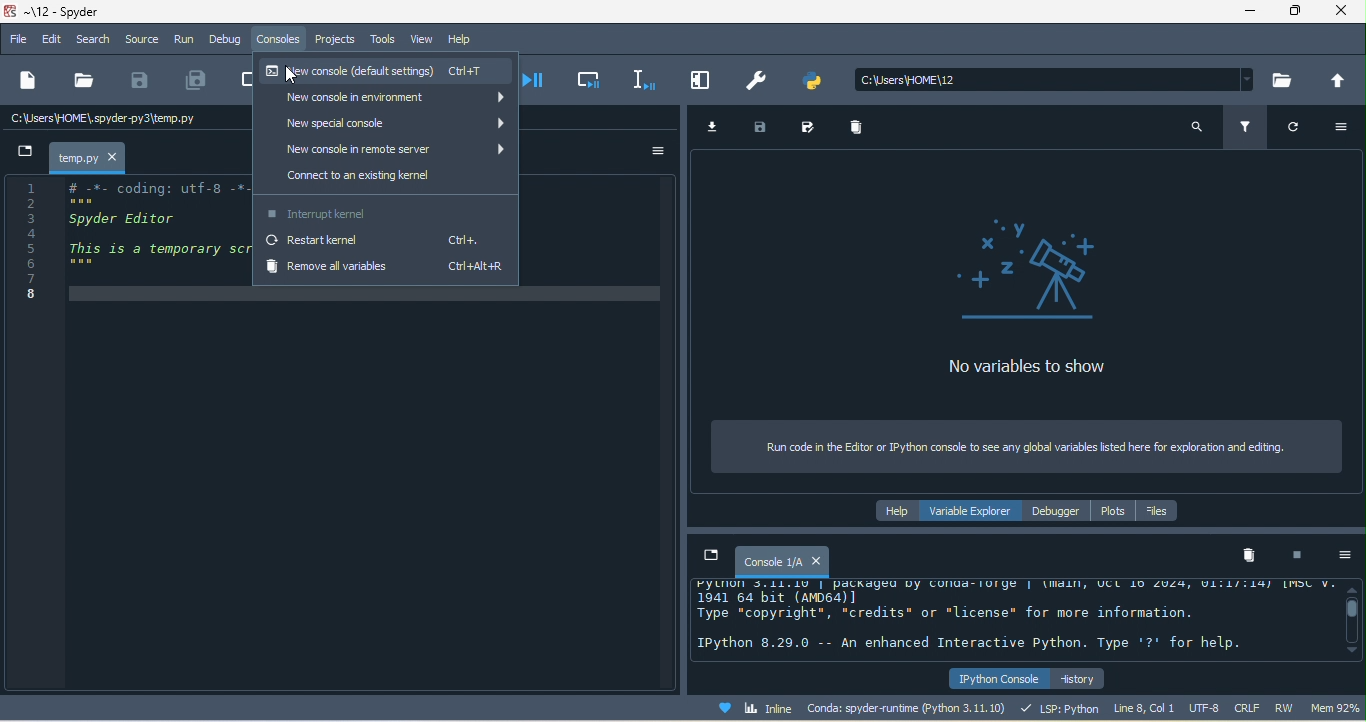 This screenshot has height=722, width=1366. I want to click on title, so click(84, 12).